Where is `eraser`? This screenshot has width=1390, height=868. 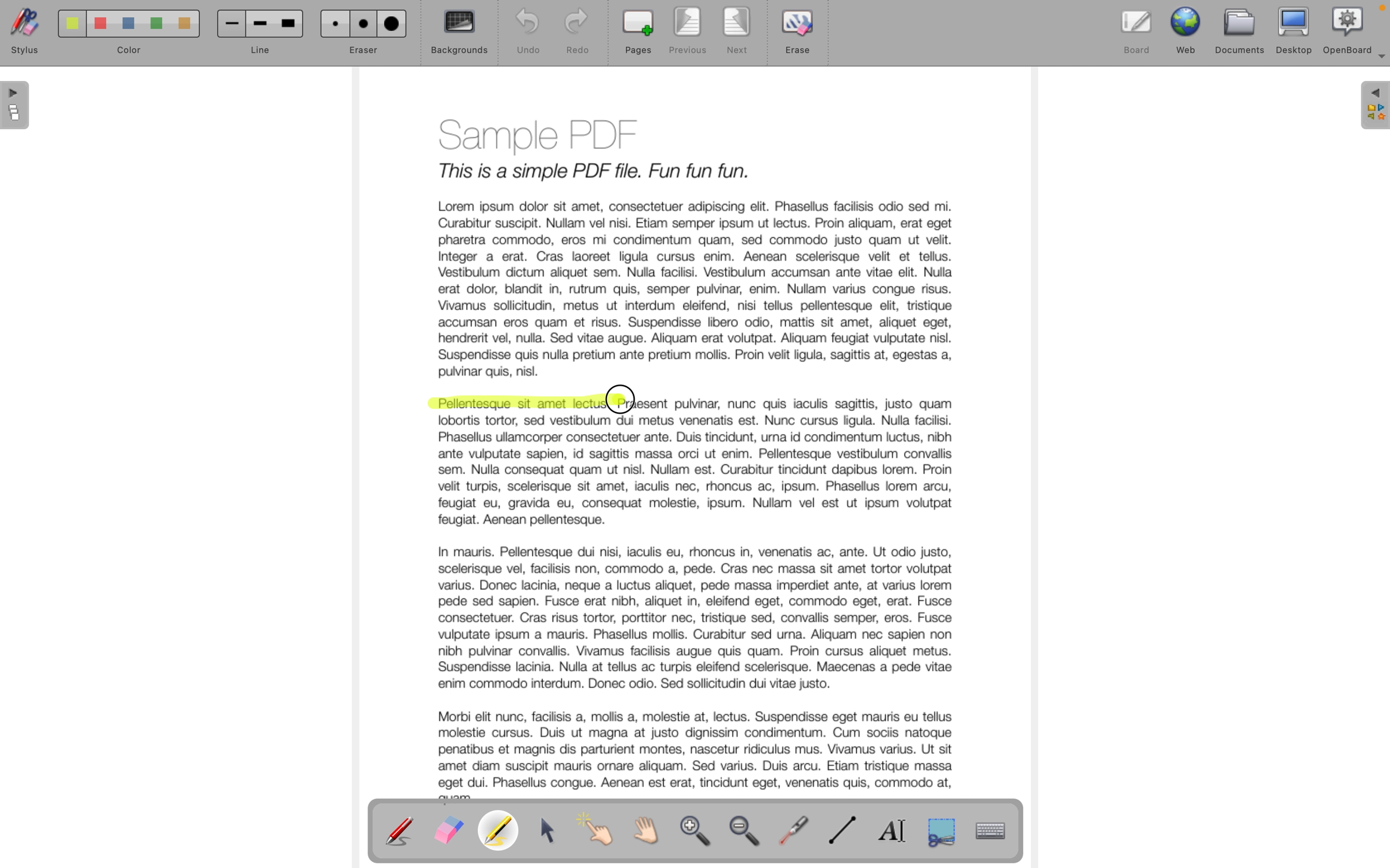
eraser is located at coordinates (448, 831).